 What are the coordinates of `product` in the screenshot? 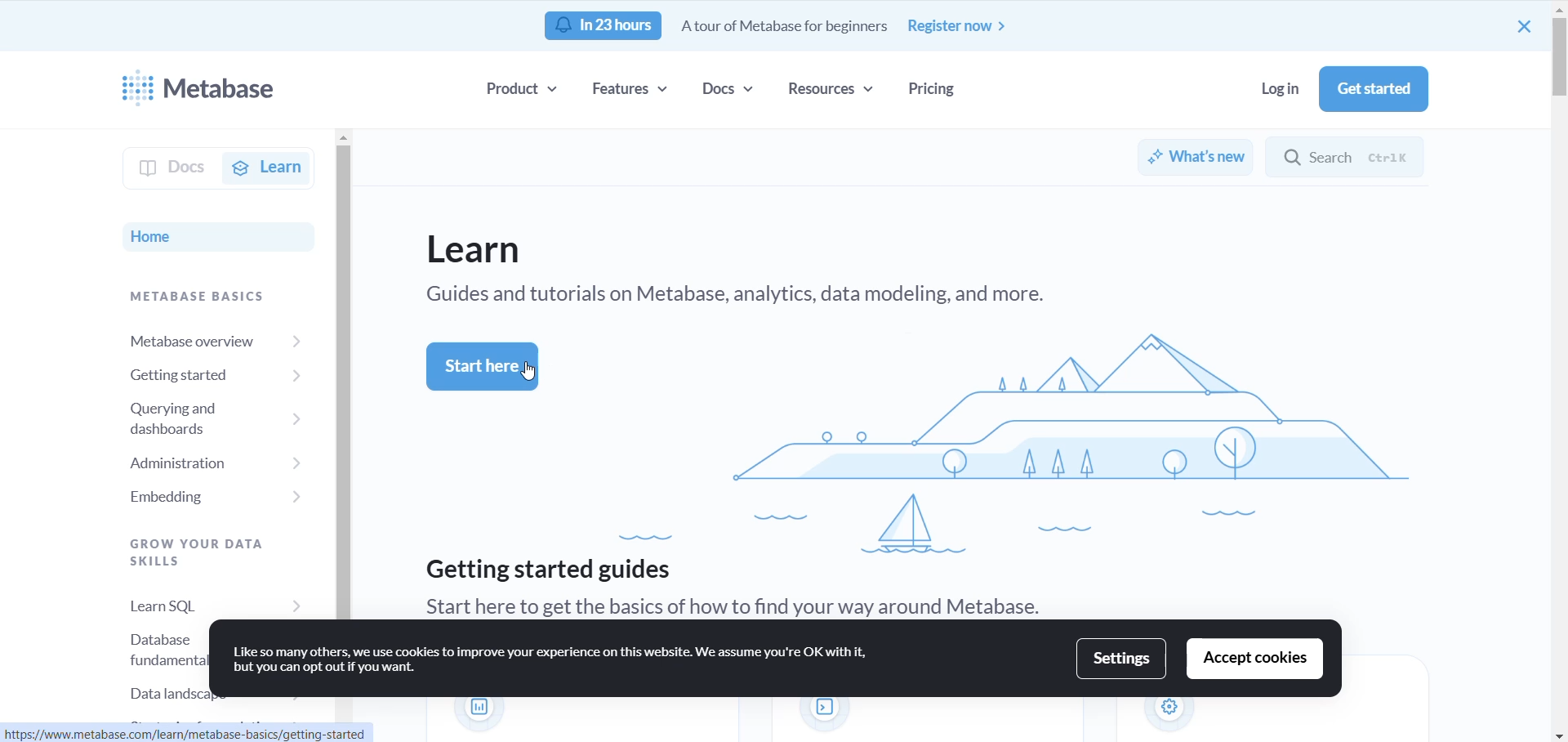 It's located at (523, 87).